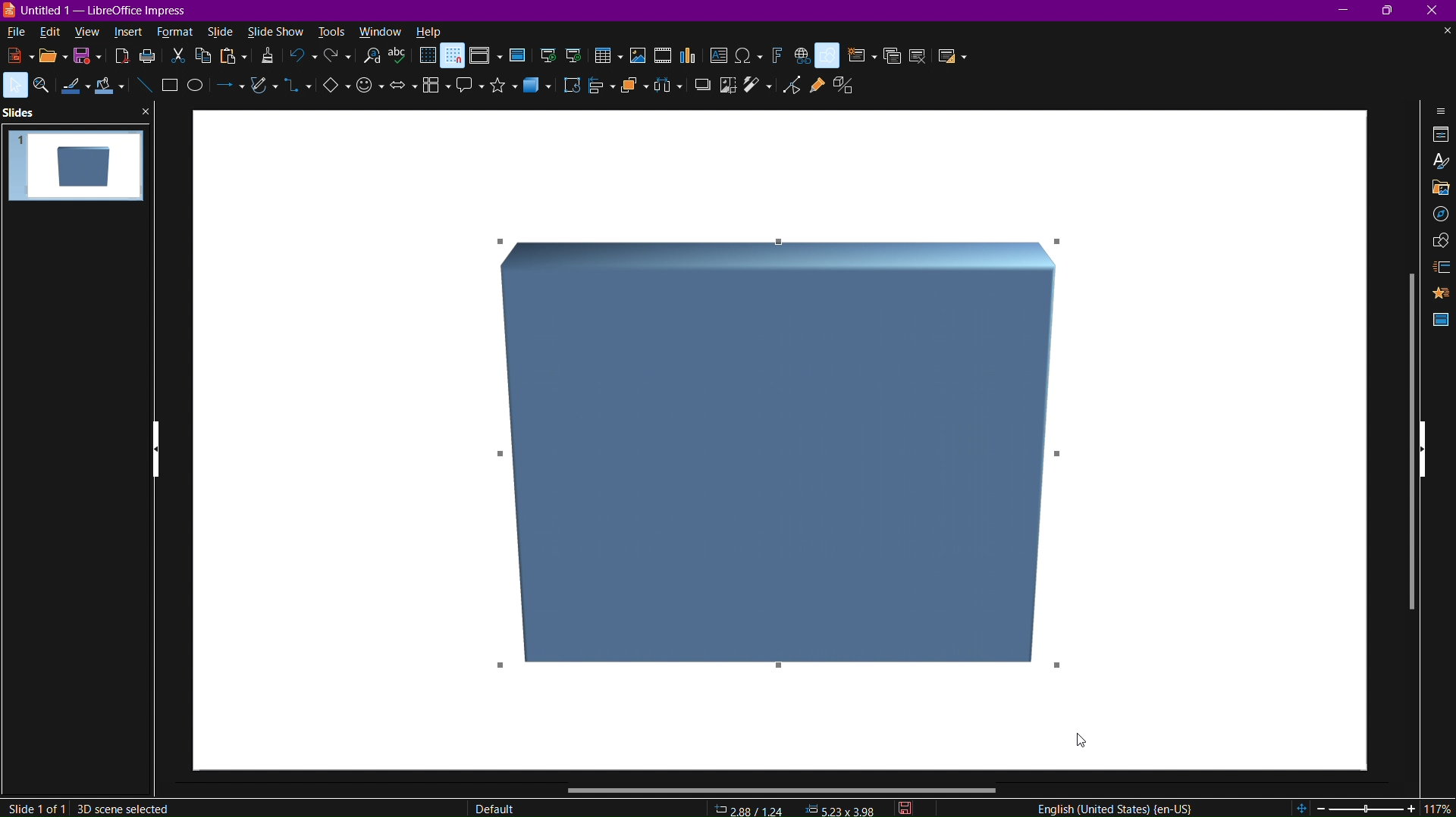 The image size is (1456, 817). What do you see at coordinates (608, 57) in the screenshot?
I see `Insert Table` at bounding box center [608, 57].